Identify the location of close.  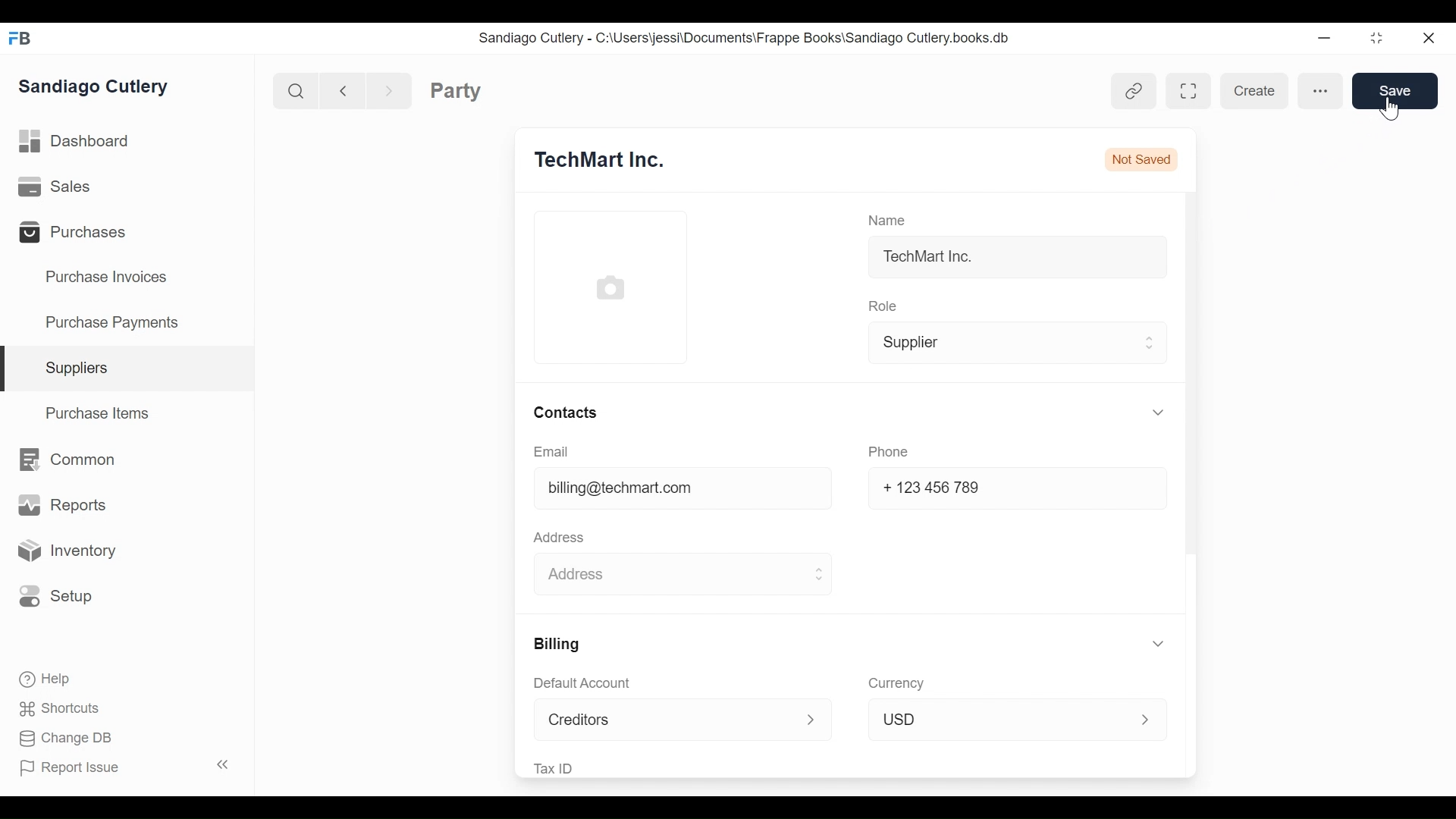
(1430, 41).